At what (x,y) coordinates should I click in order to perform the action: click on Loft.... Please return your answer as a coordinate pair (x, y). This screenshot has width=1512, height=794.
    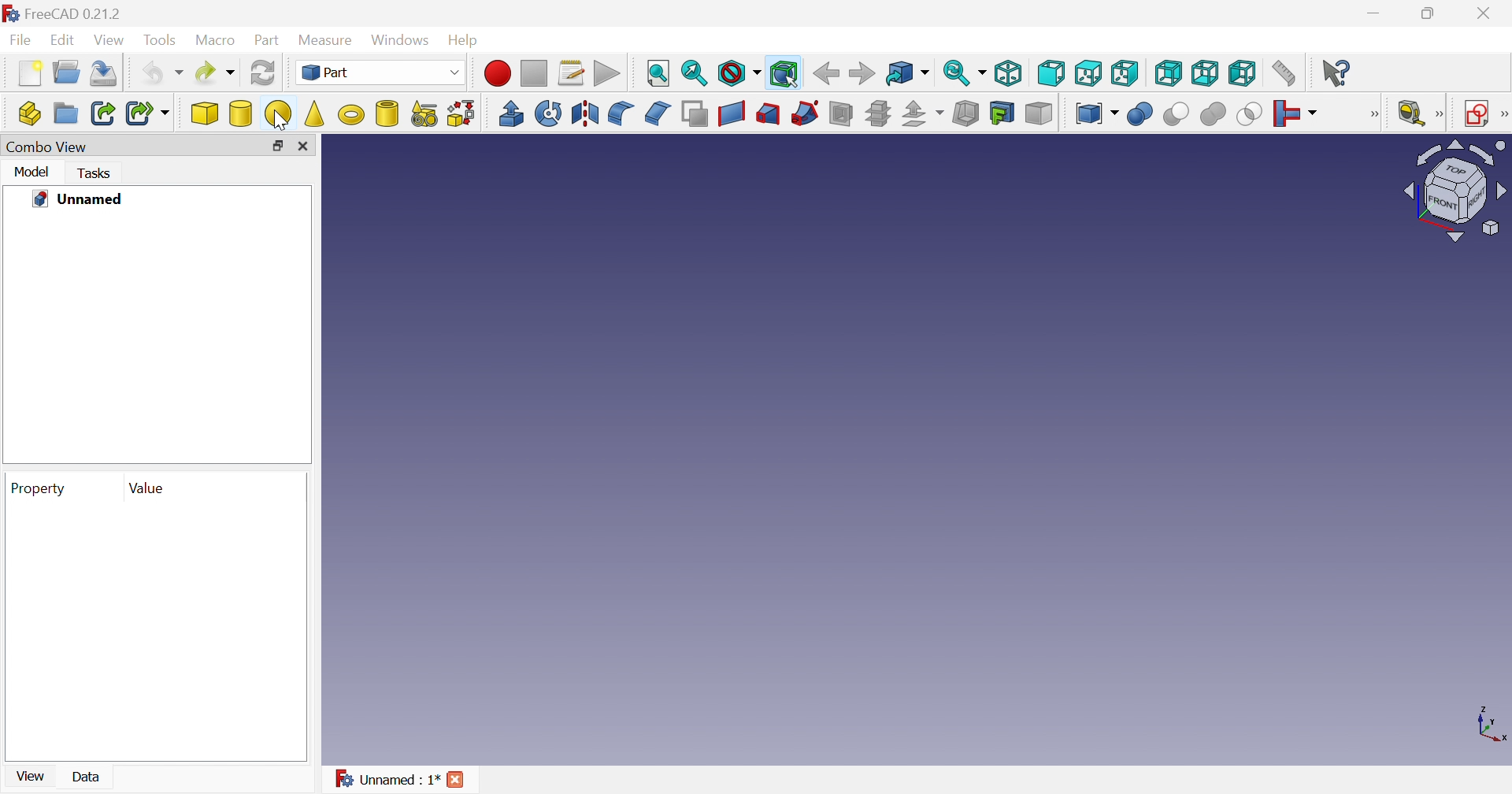
    Looking at the image, I should click on (768, 113).